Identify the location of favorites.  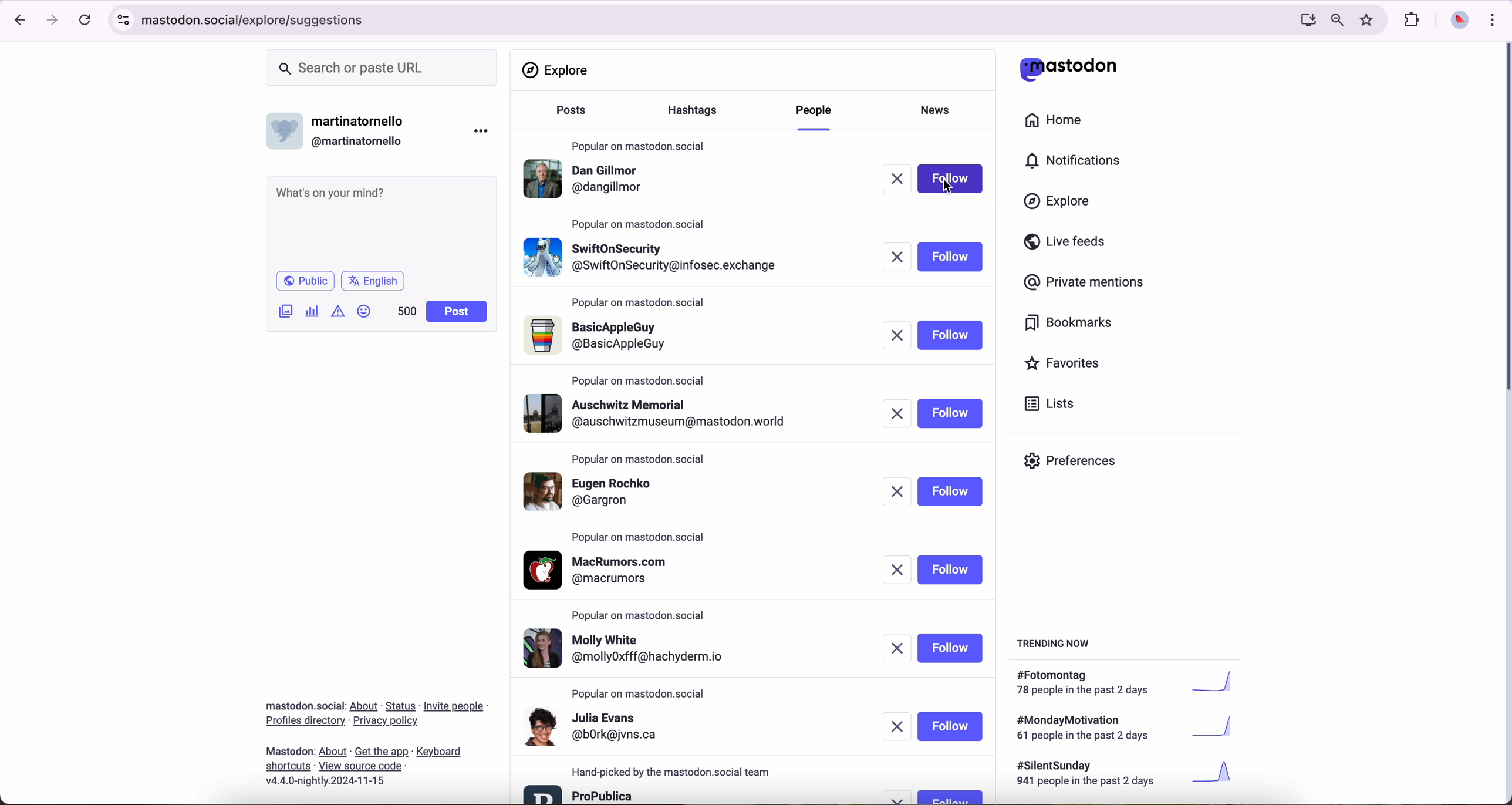
(1067, 365).